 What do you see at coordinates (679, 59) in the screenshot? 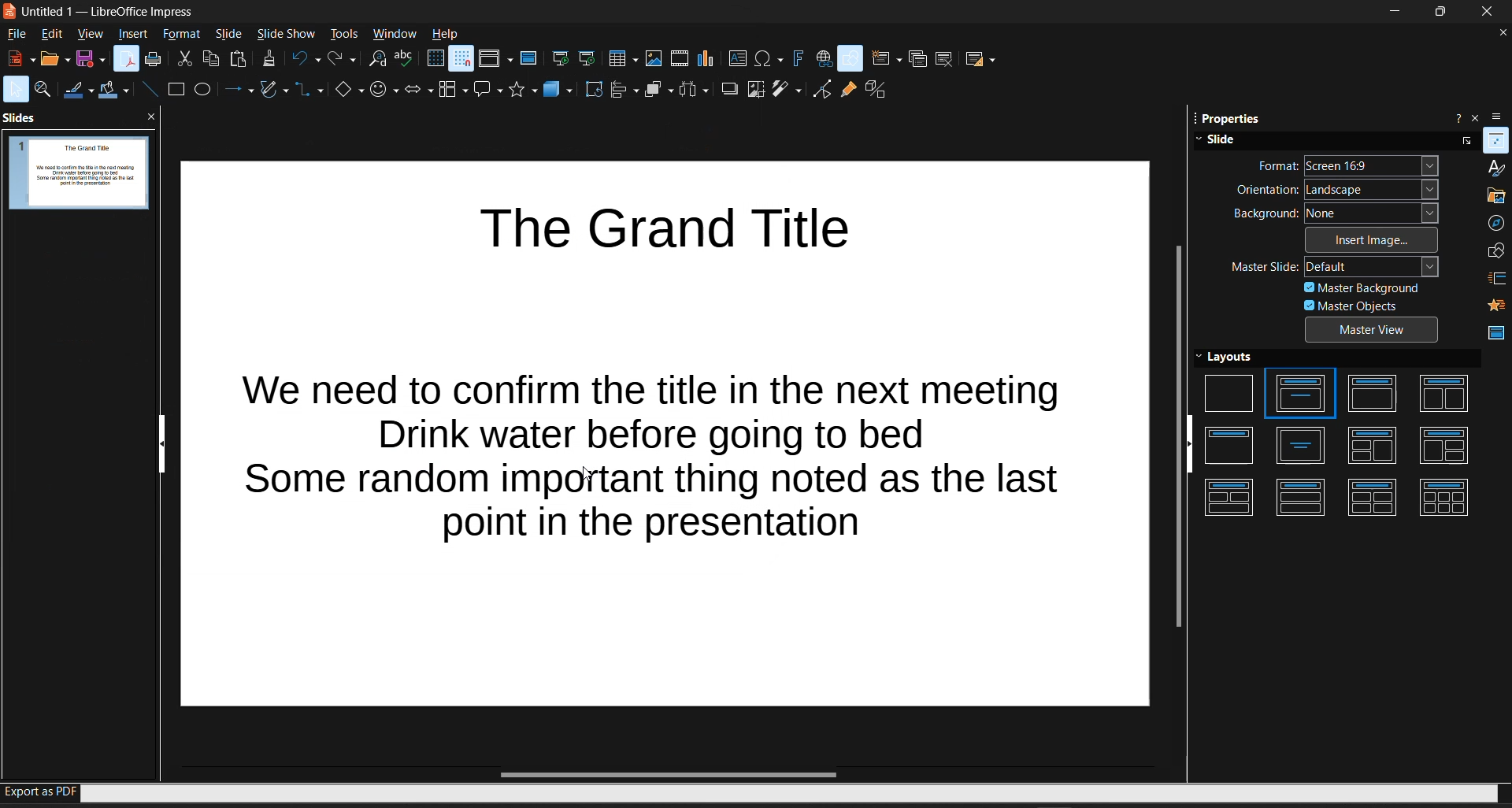
I see `insert audio or video` at bounding box center [679, 59].